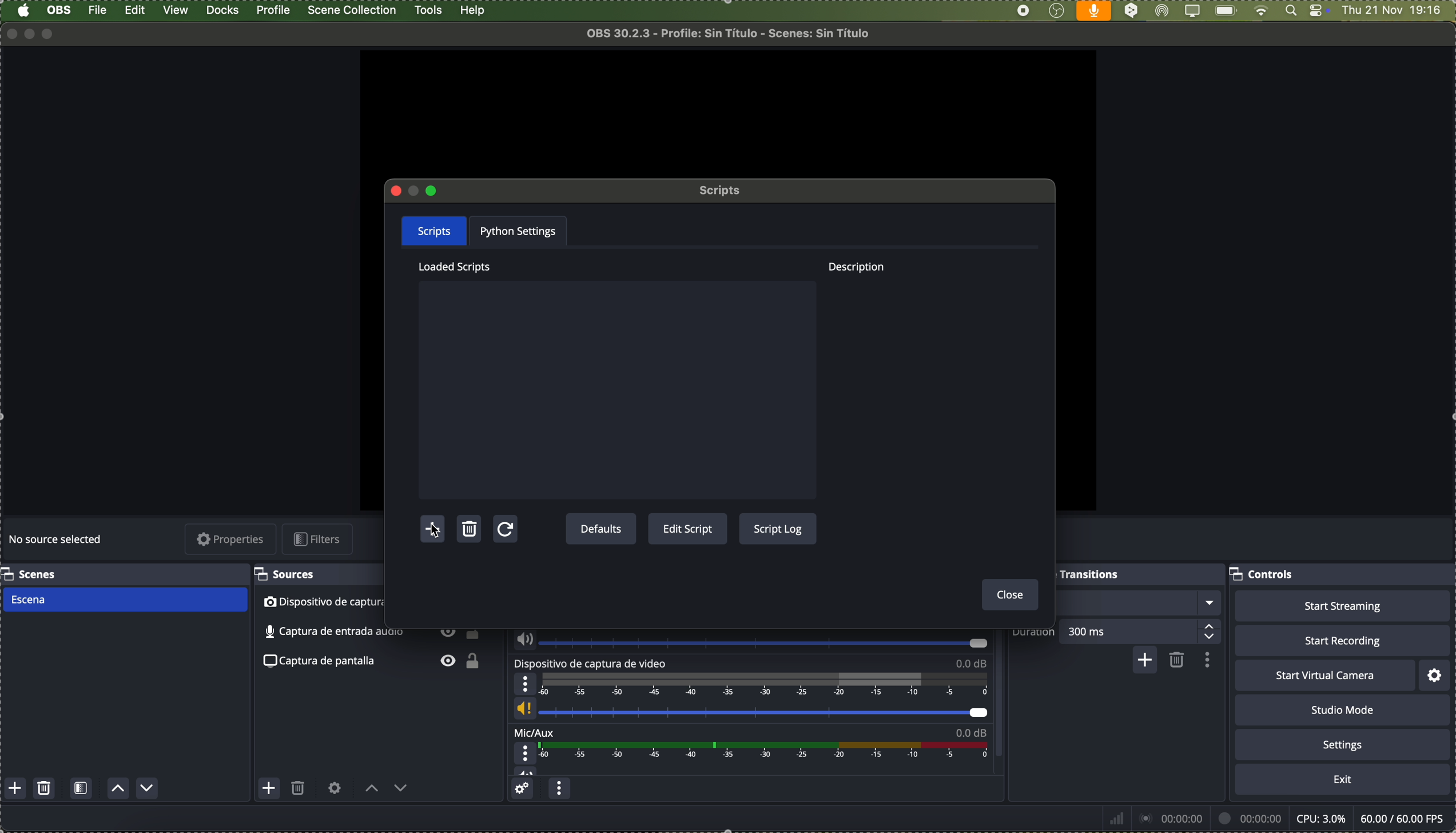 The height and width of the screenshot is (833, 1456). Describe the element at coordinates (23, 11) in the screenshot. I see `Apple icon` at that location.